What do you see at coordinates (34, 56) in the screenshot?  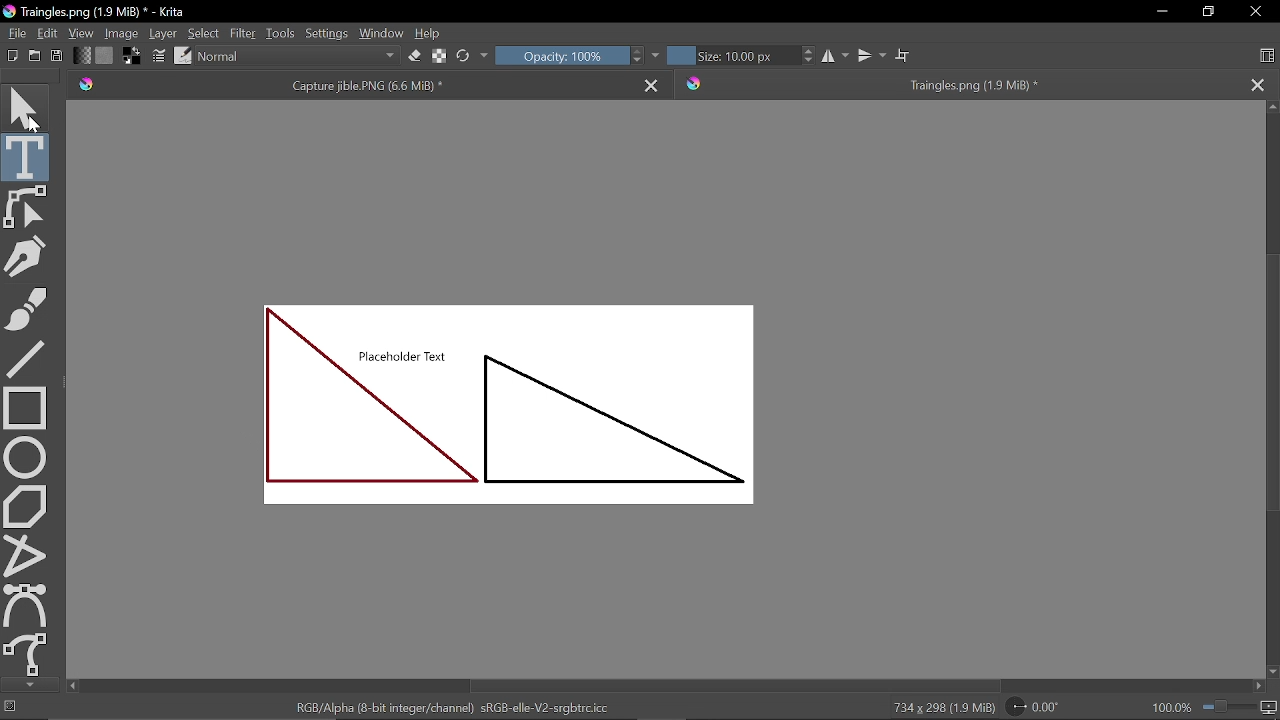 I see `Open document` at bounding box center [34, 56].